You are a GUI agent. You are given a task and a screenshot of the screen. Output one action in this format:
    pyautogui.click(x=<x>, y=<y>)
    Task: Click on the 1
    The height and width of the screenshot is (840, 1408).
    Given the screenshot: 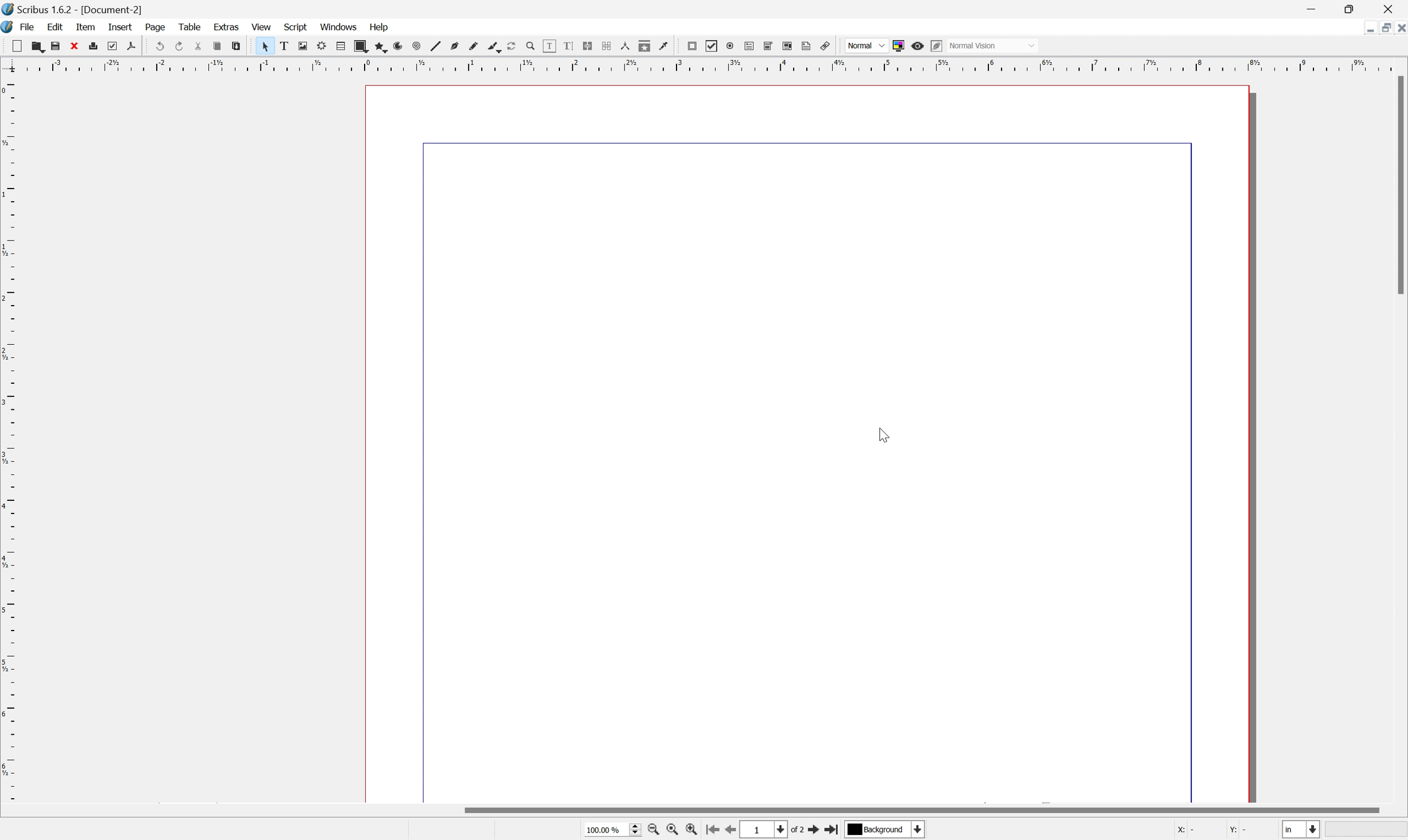 What is the action you would take?
    pyautogui.click(x=765, y=829)
    